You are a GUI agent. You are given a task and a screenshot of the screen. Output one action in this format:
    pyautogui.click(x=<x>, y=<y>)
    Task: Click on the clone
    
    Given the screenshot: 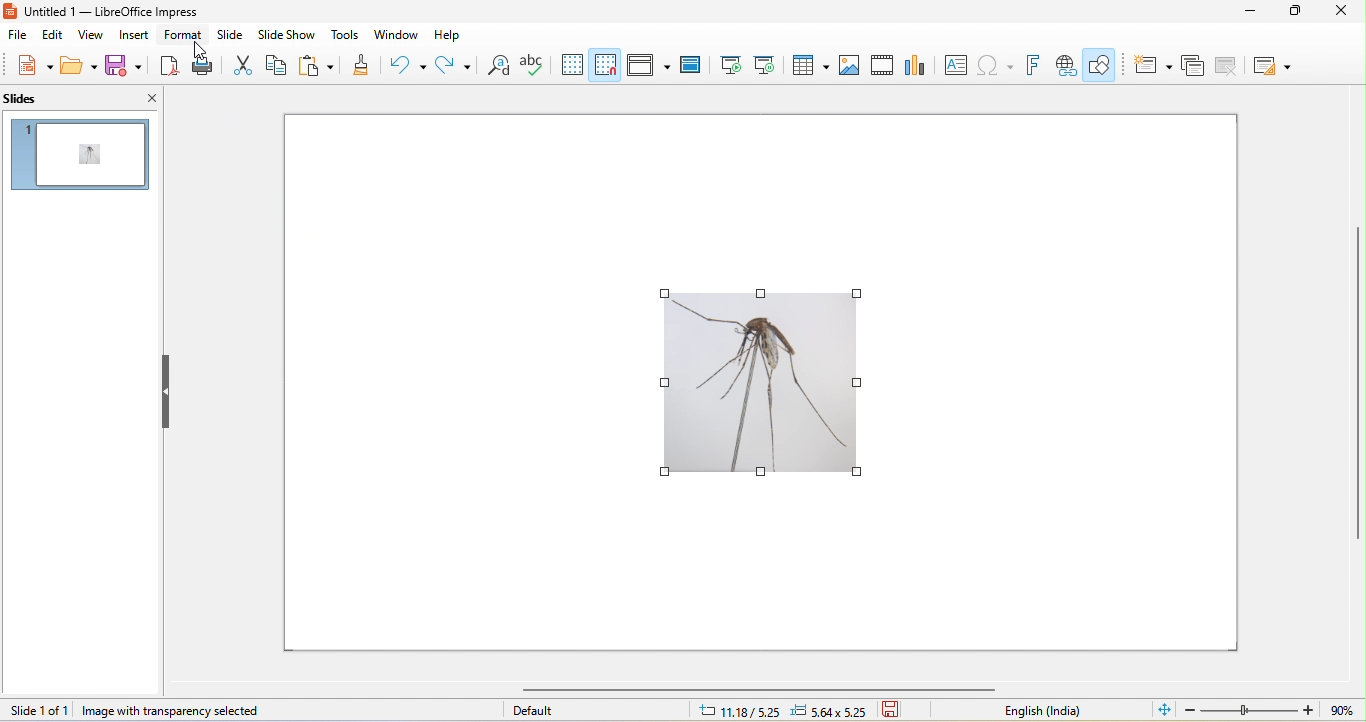 What is the action you would take?
    pyautogui.click(x=355, y=66)
    